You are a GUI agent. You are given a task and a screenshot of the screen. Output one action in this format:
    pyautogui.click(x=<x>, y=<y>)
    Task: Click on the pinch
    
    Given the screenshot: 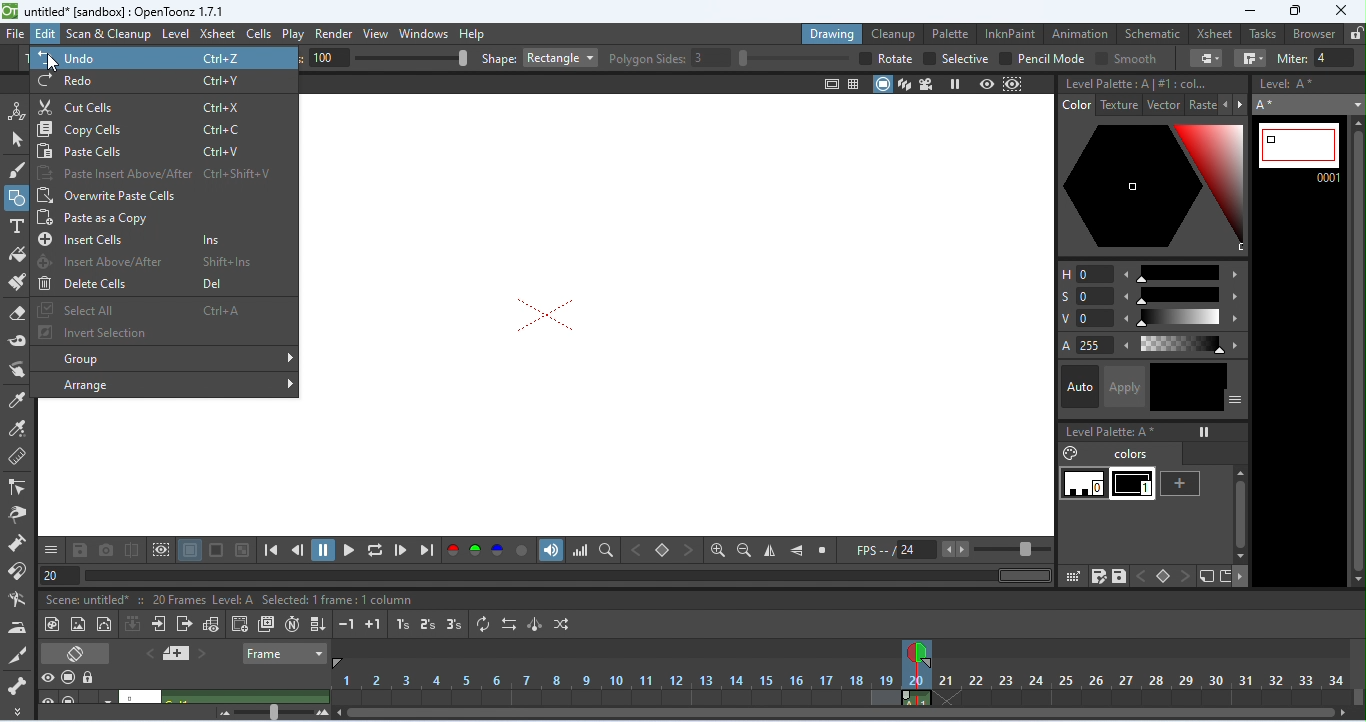 What is the action you would take?
    pyautogui.click(x=19, y=516)
    